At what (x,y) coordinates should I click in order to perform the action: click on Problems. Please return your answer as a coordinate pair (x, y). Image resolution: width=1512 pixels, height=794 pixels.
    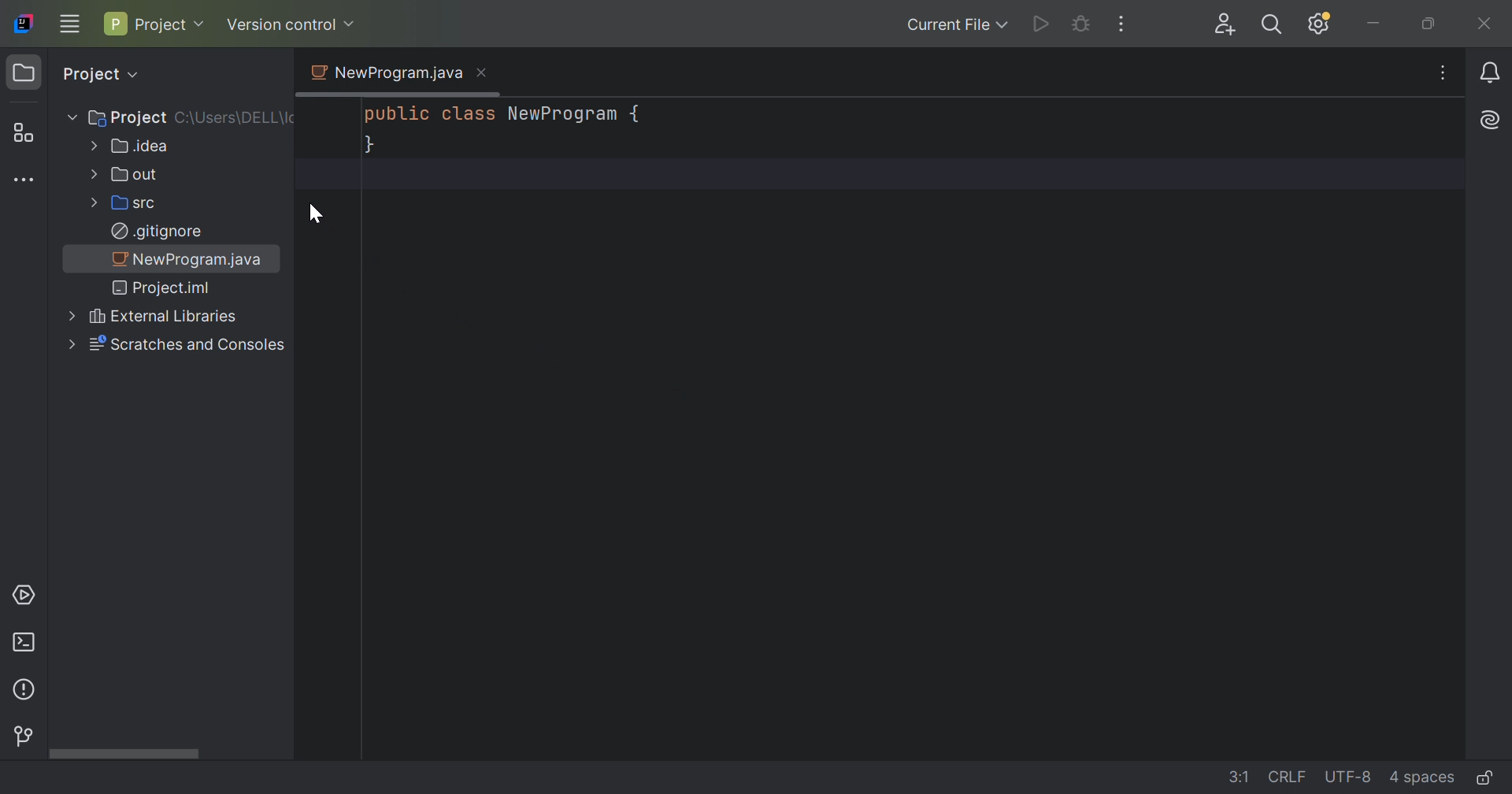
    Looking at the image, I should click on (27, 688).